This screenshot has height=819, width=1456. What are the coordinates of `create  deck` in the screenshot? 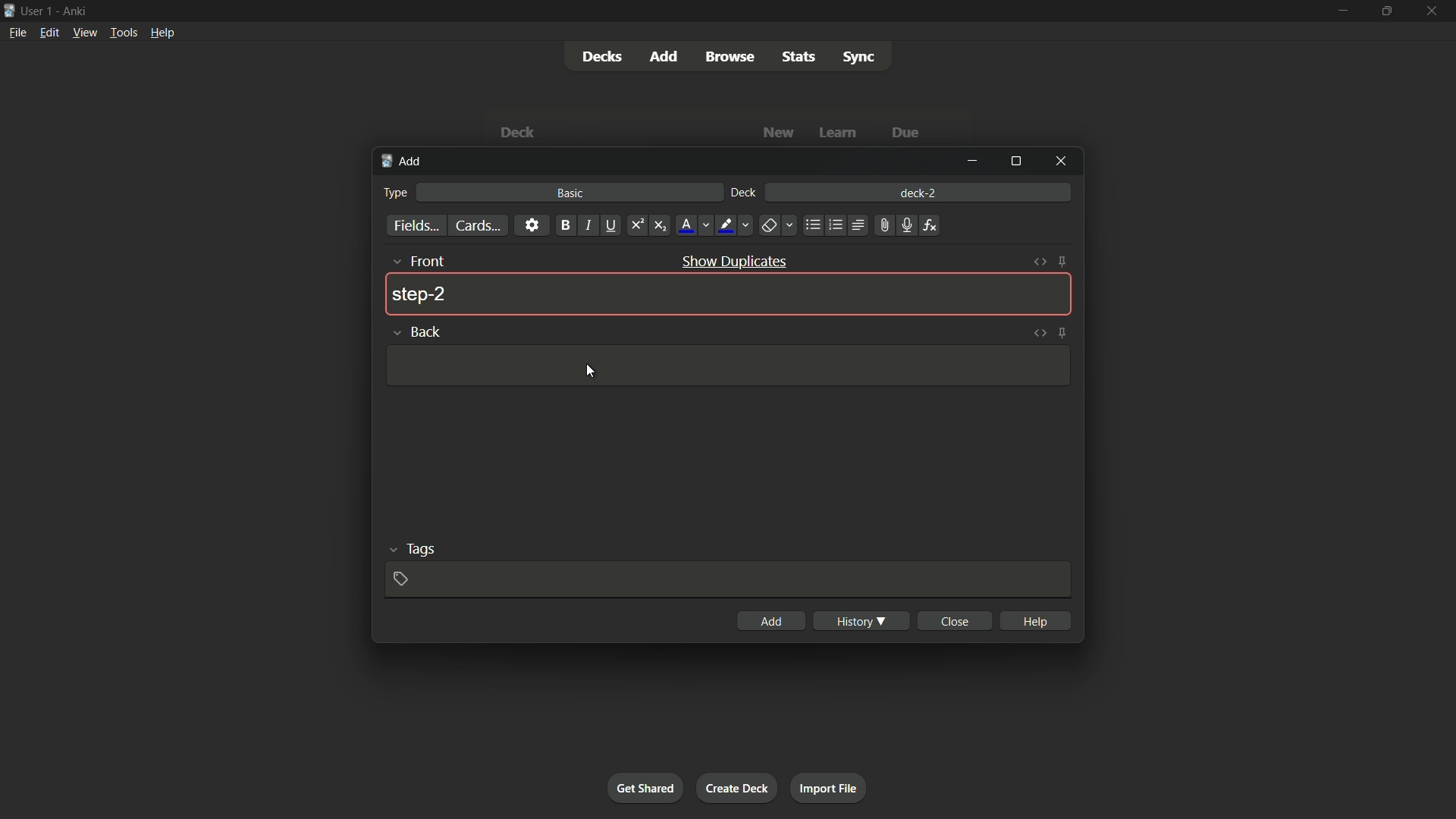 It's located at (738, 788).